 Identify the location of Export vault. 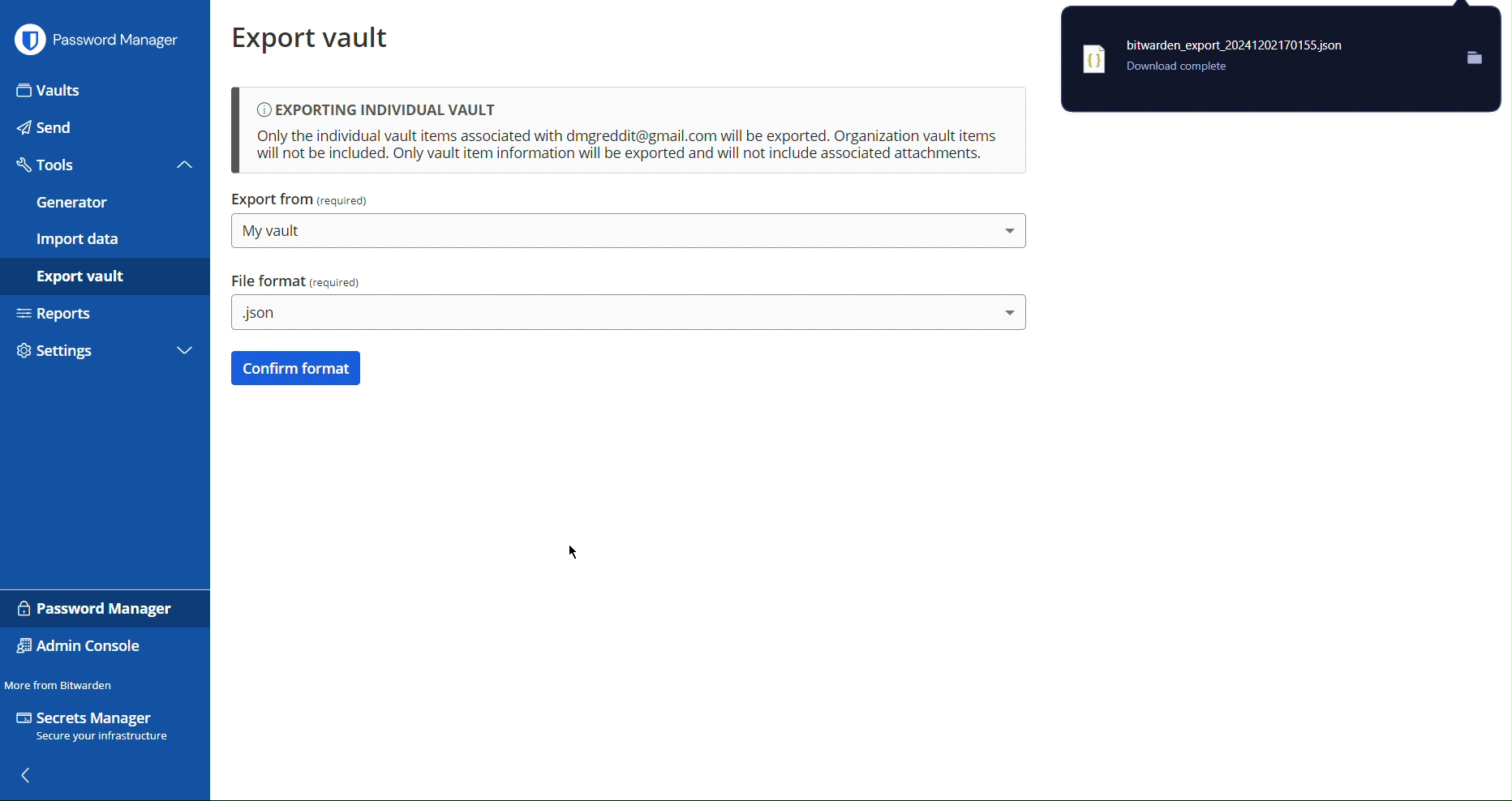
(319, 37).